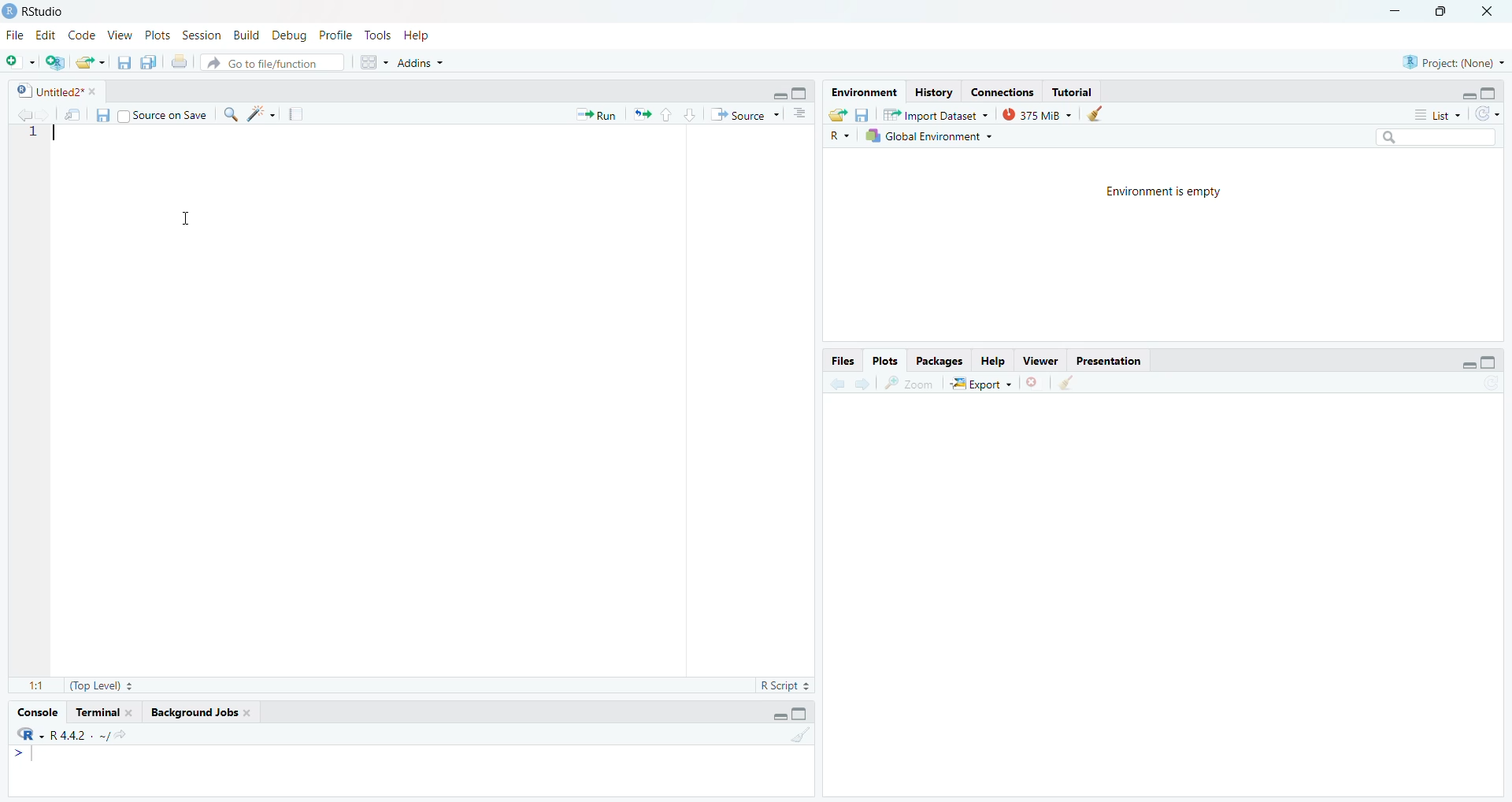  I want to click on  View, so click(120, 36).